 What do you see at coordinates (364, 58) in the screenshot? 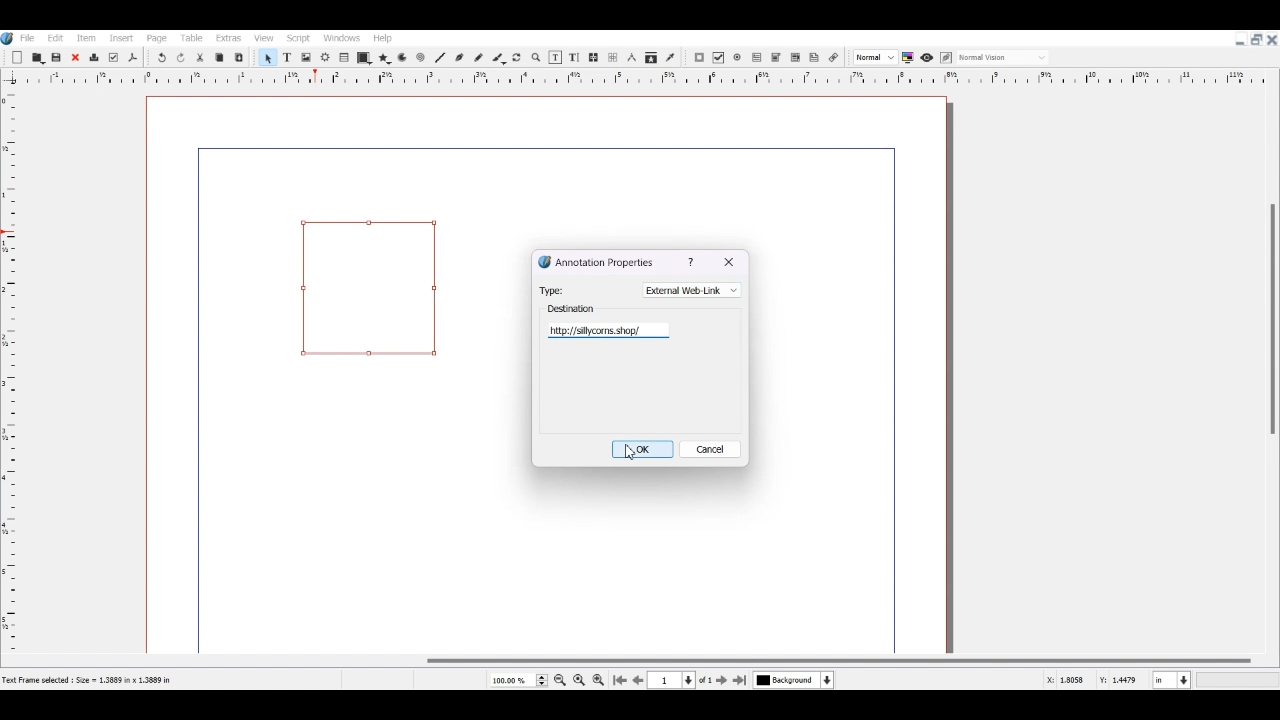
I see `Shape` at bounding box center [364, 58].